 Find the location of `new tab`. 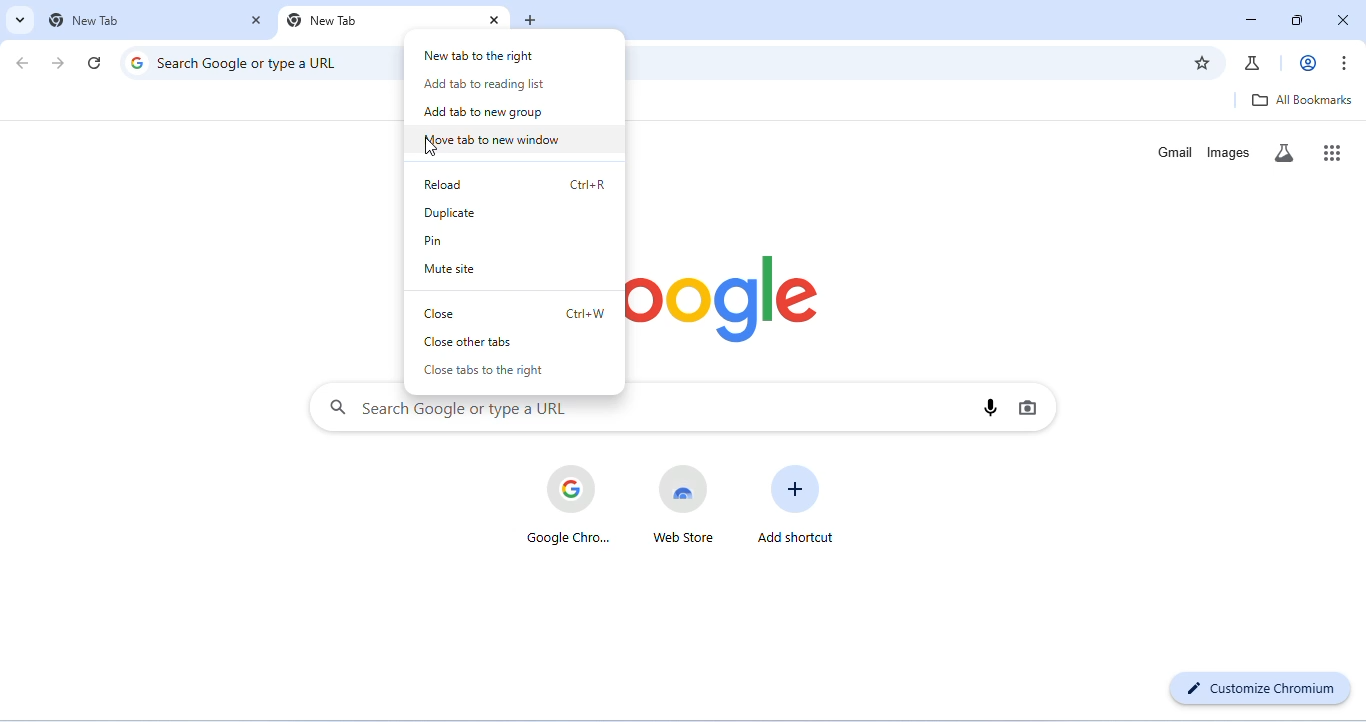

new tab is located at coordinates (326, 21).